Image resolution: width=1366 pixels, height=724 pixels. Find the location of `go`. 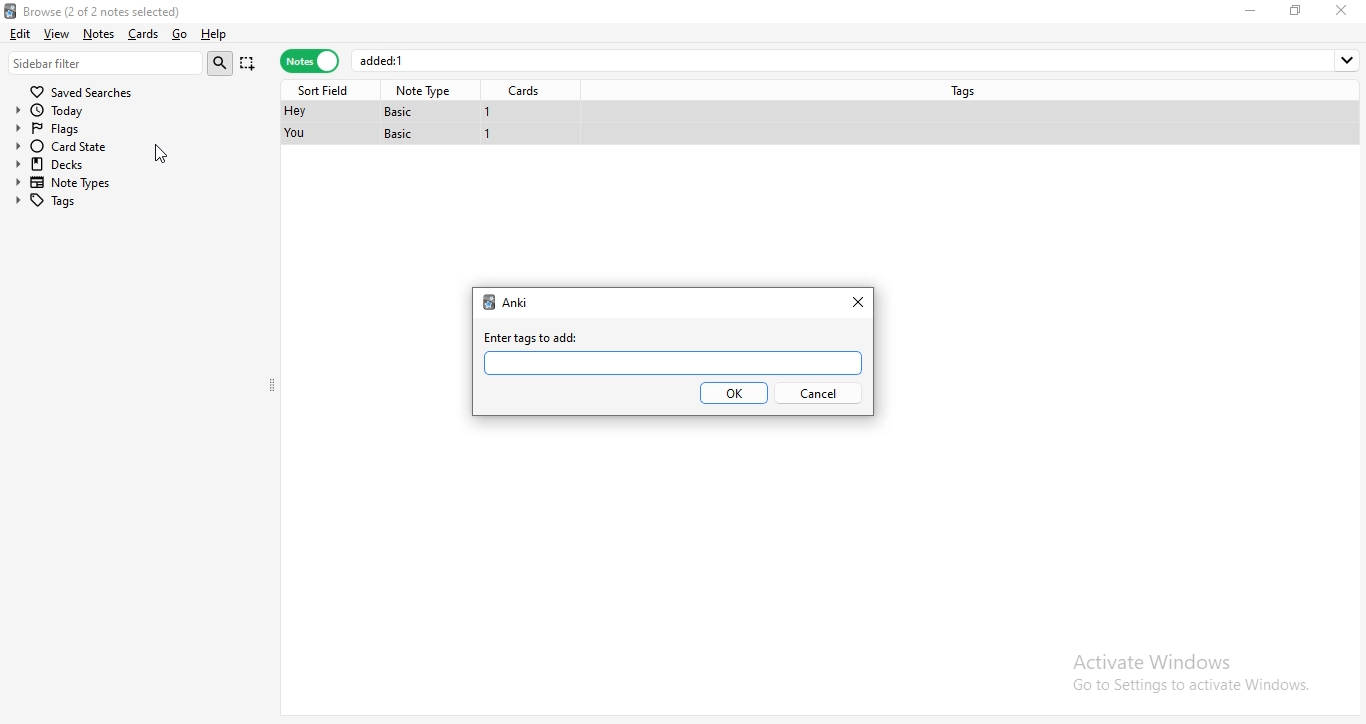

go is located at coordinates (178, 35).